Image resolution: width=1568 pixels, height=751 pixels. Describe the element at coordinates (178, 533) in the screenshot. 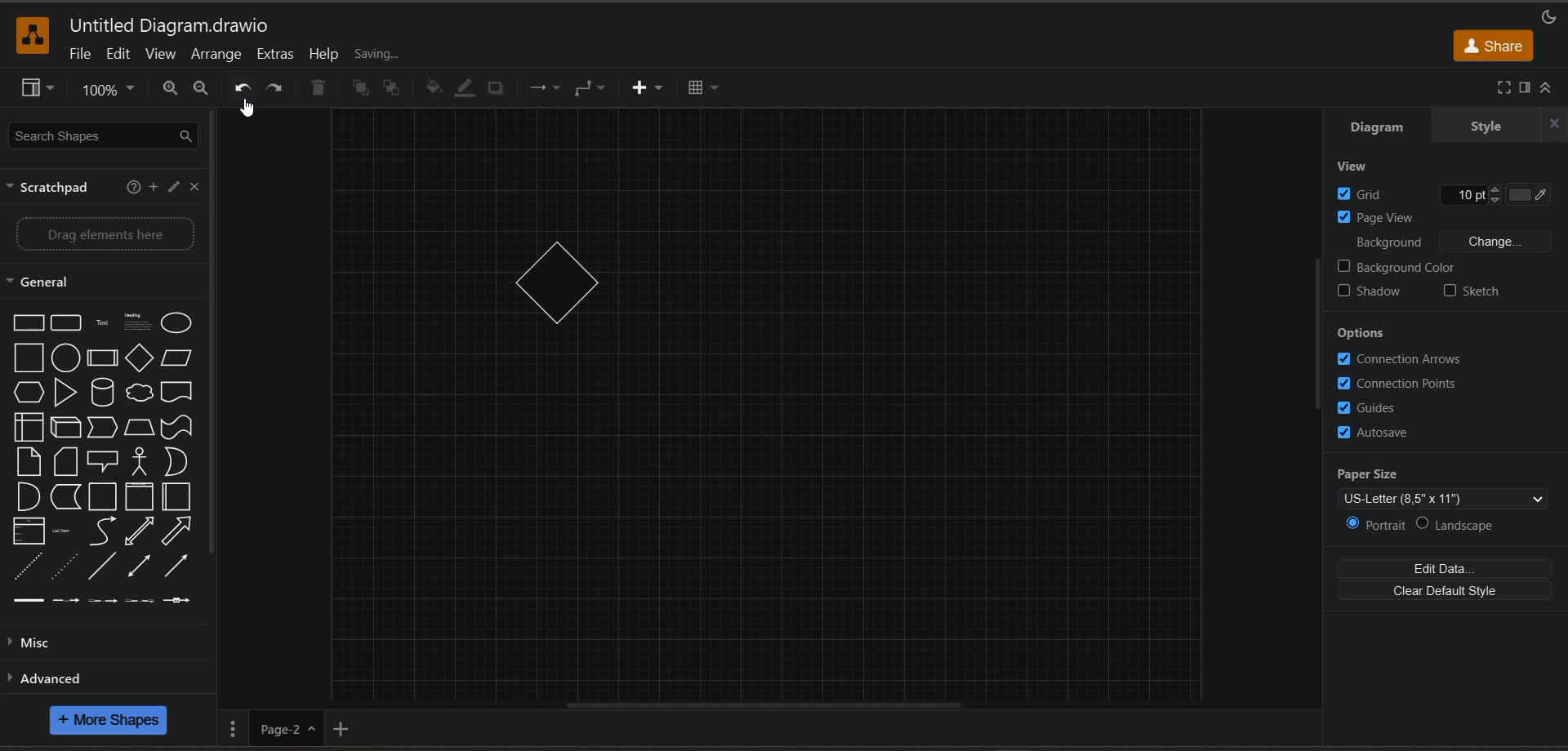

I see `Arrow` at that location.